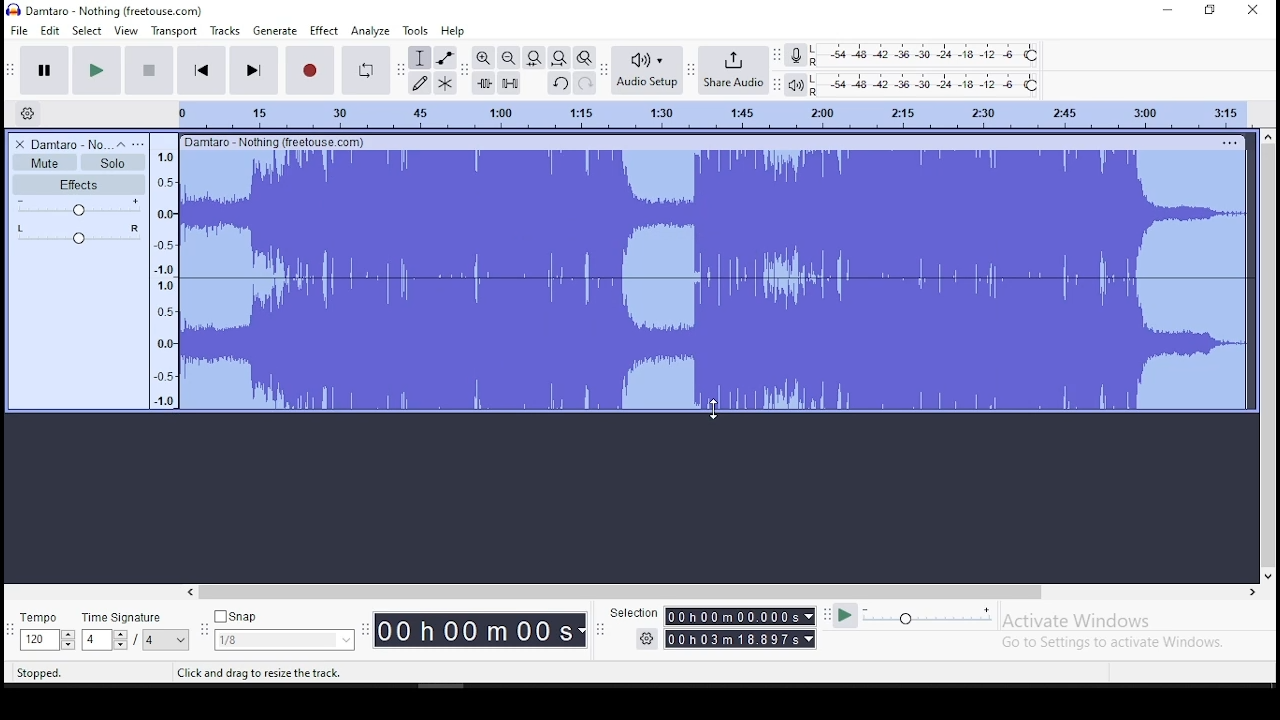  I want to click on 00 h 01 m 08.159s, so click(732, 639).